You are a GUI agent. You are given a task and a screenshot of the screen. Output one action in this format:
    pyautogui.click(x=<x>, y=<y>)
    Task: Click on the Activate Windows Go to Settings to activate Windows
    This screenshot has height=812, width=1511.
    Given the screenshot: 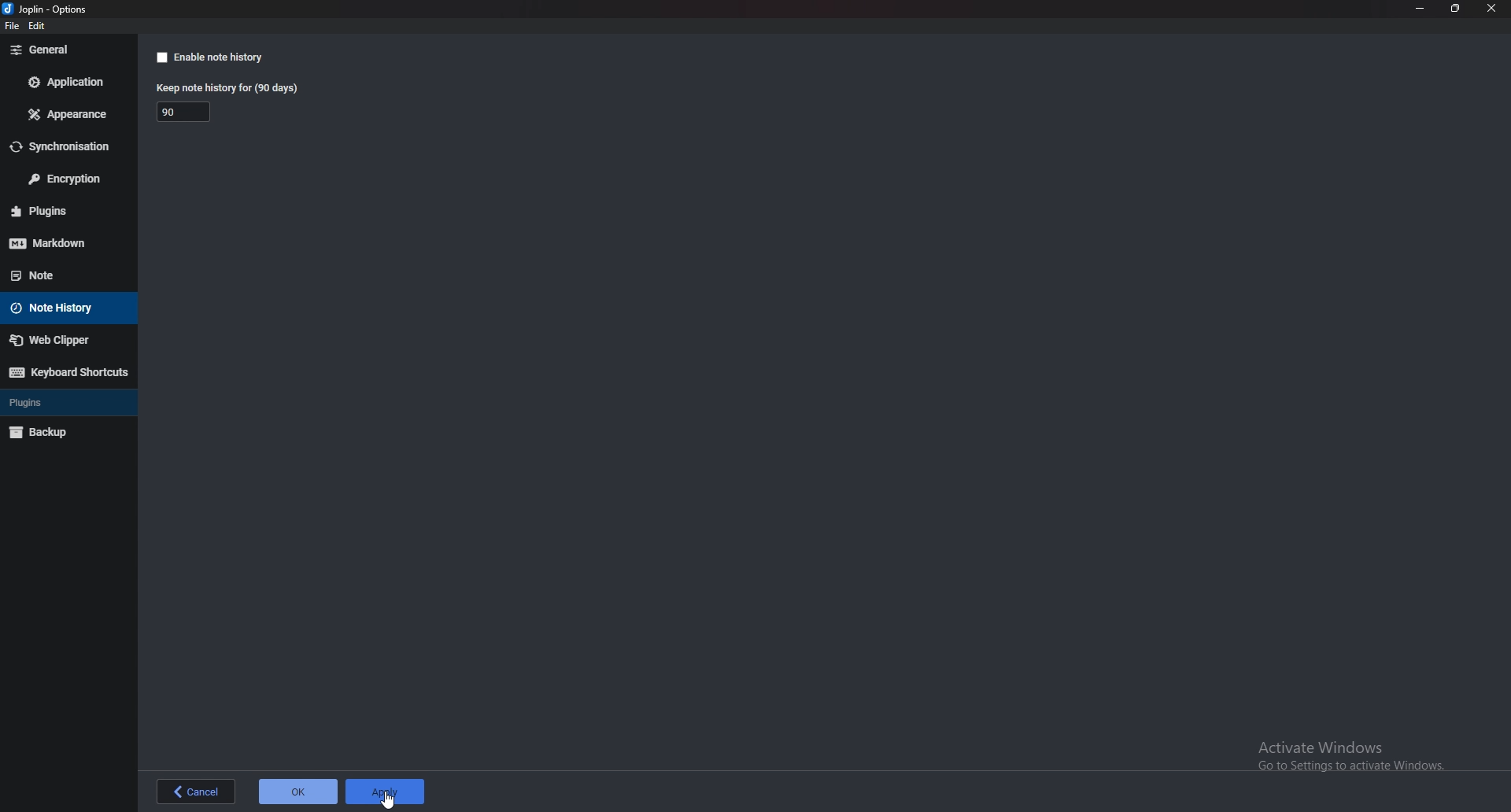 What is the action you would take?
    pyautogui.click(x=1353, y=758)
    